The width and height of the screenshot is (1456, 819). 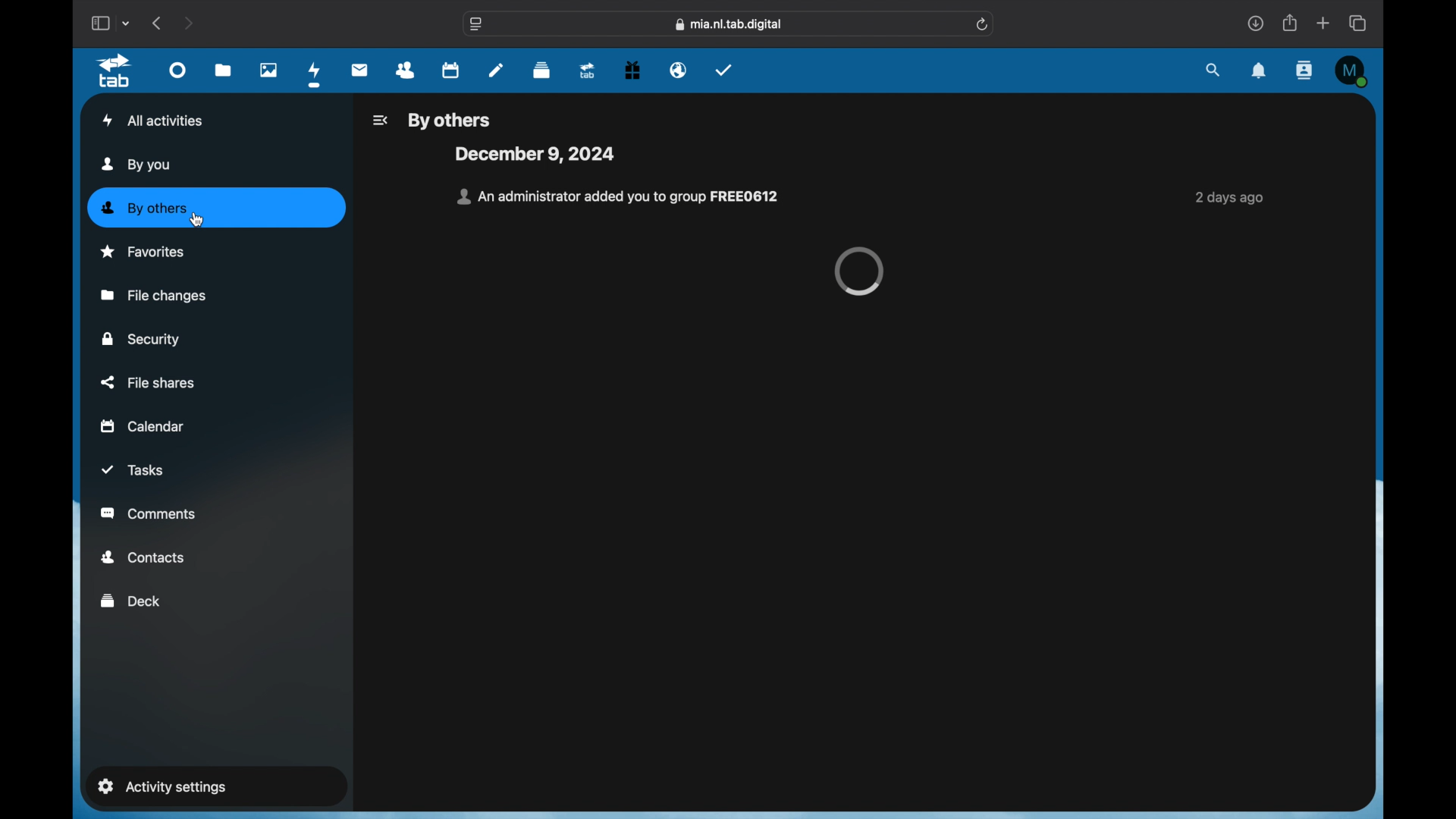 I want to click on security, so click(x=141, y=340).